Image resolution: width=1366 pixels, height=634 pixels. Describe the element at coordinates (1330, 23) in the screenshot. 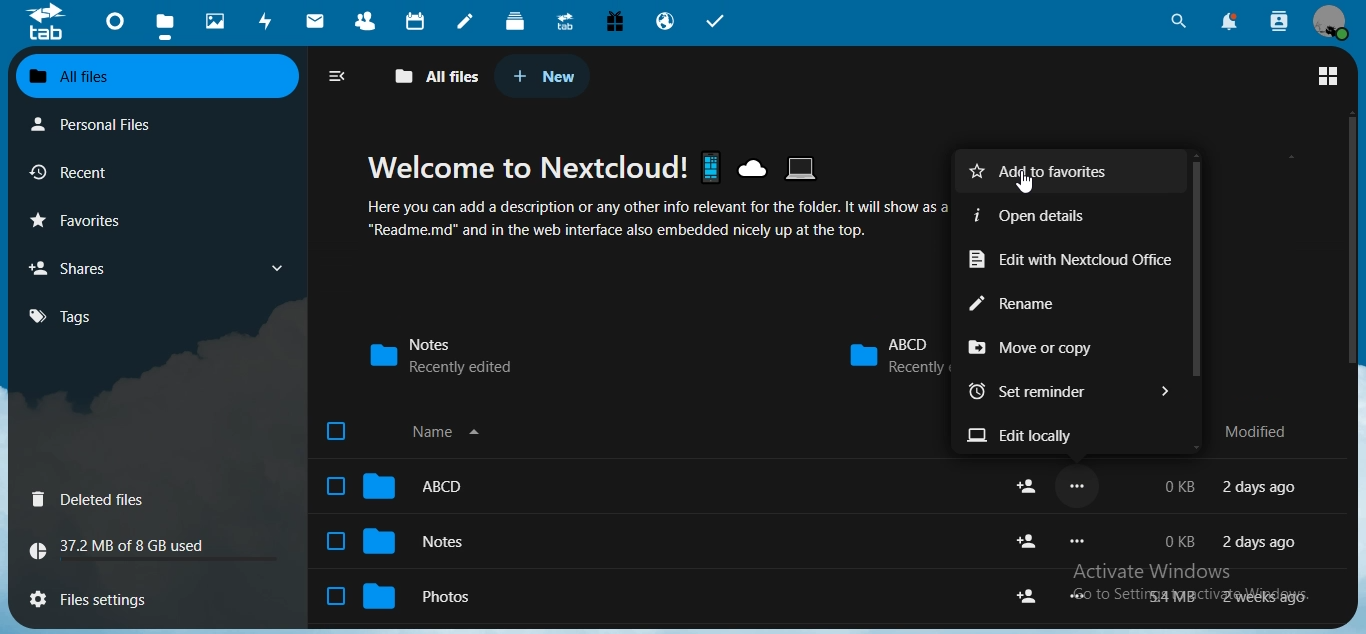

I see `view profile` at that location.